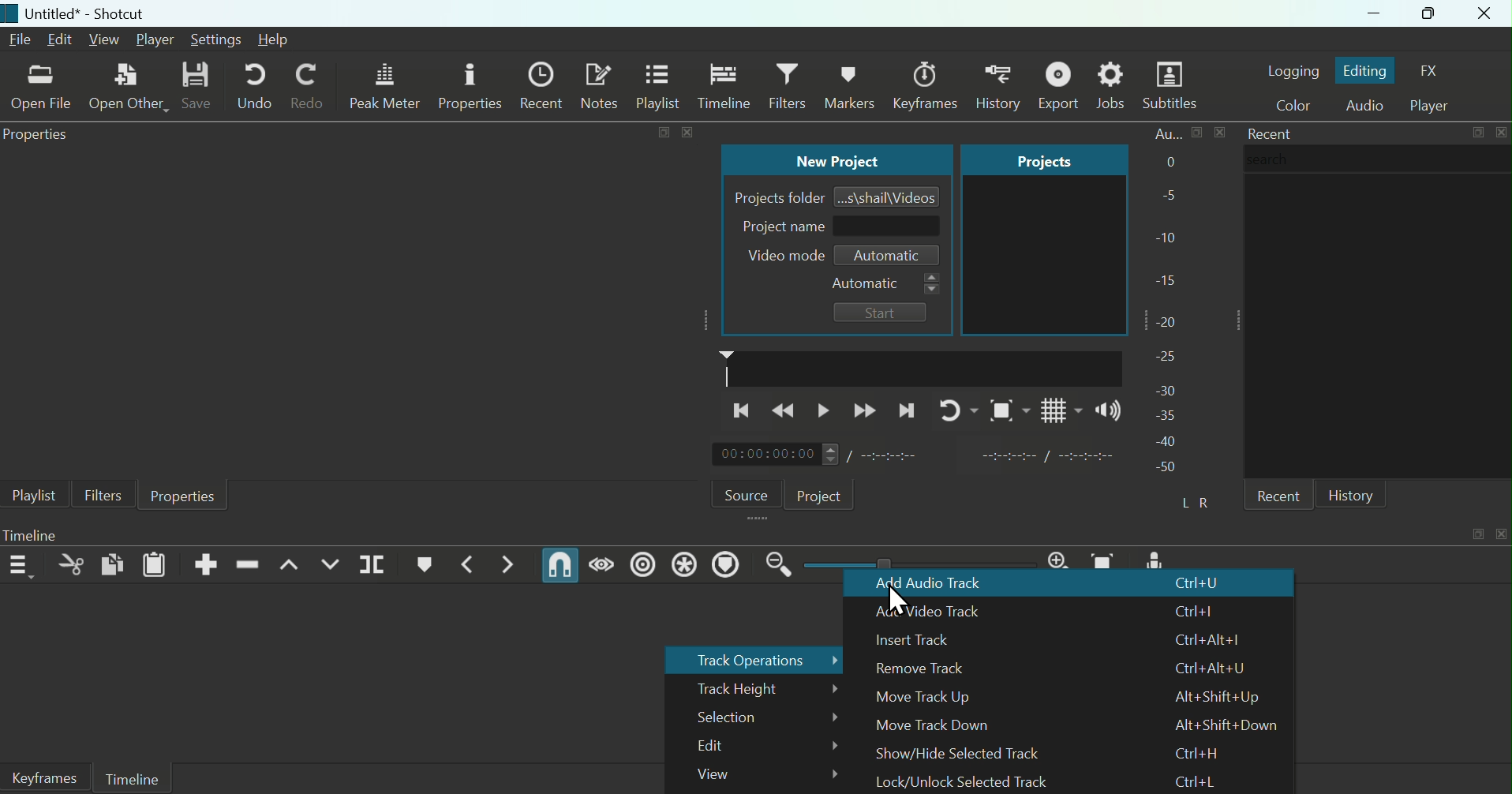 The image size is (1512, 794). What do you see at coordinates (82, 14) in the screenshot?
I see `Untitled* - Shotcut` at bounding box center [82, 14].